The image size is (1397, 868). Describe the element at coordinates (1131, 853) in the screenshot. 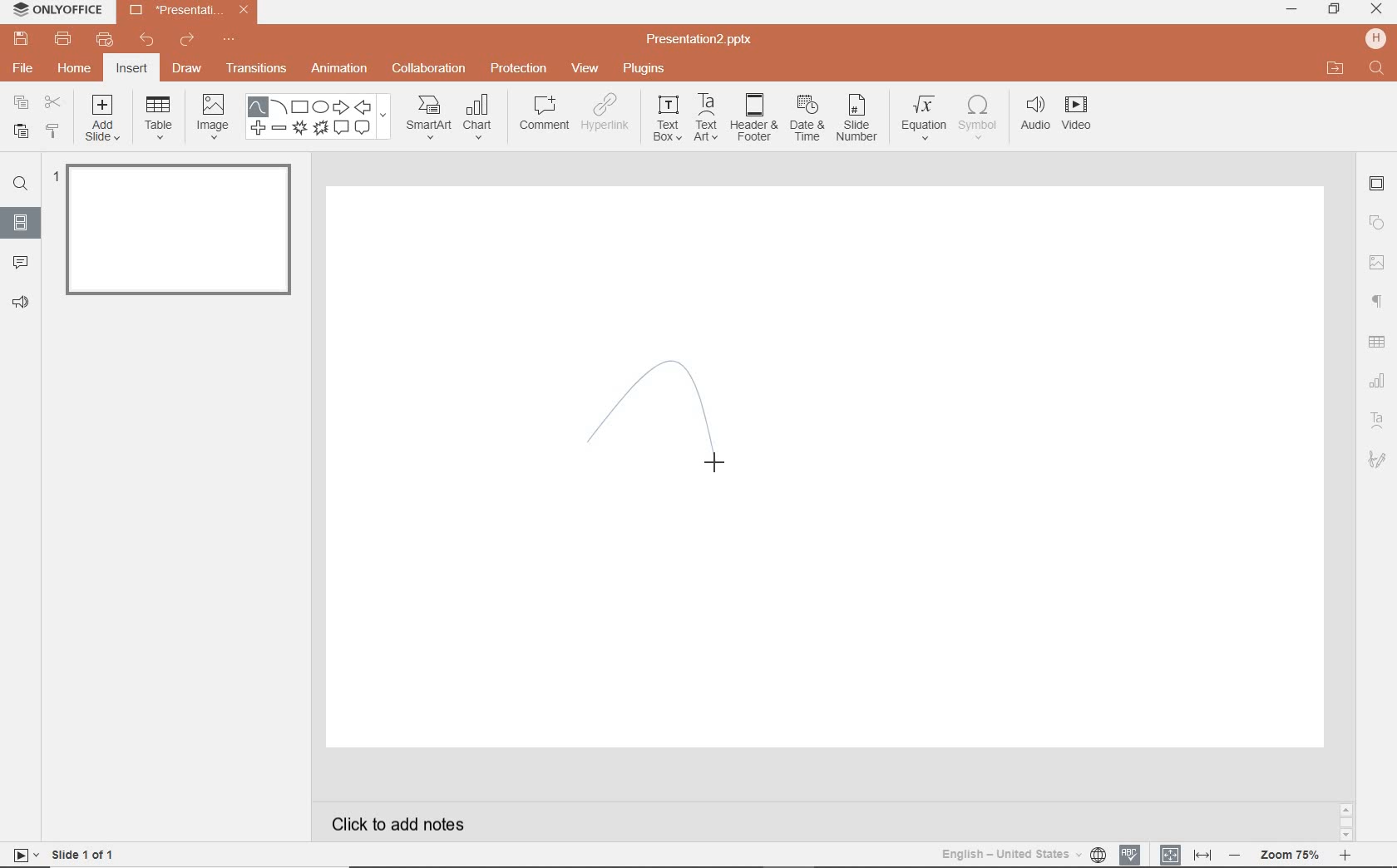

I see `SPELL CHECKING` at that location.